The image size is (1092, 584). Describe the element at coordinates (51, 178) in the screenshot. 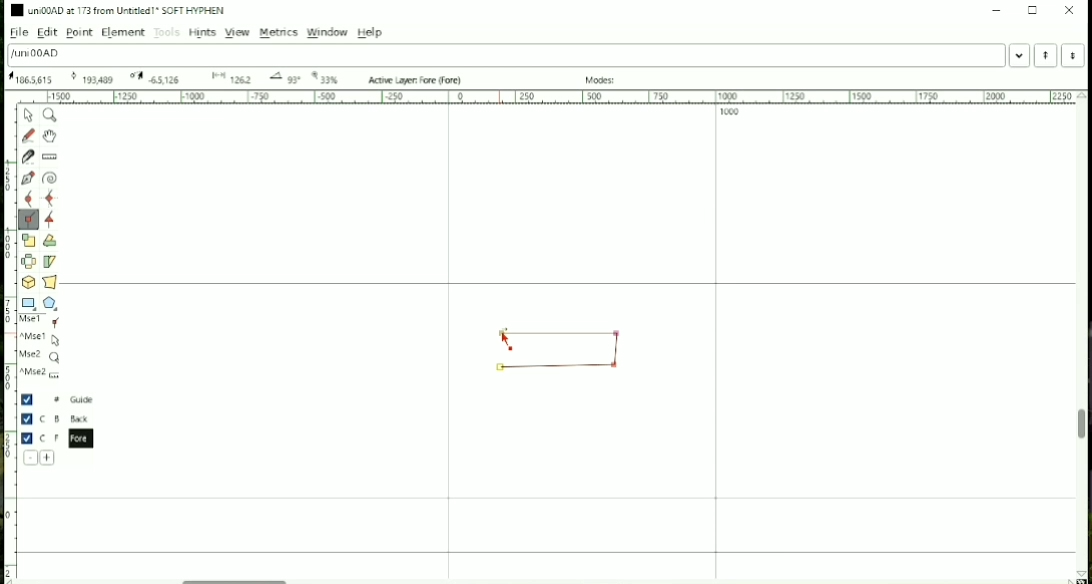

I see `Spiro` at that location.